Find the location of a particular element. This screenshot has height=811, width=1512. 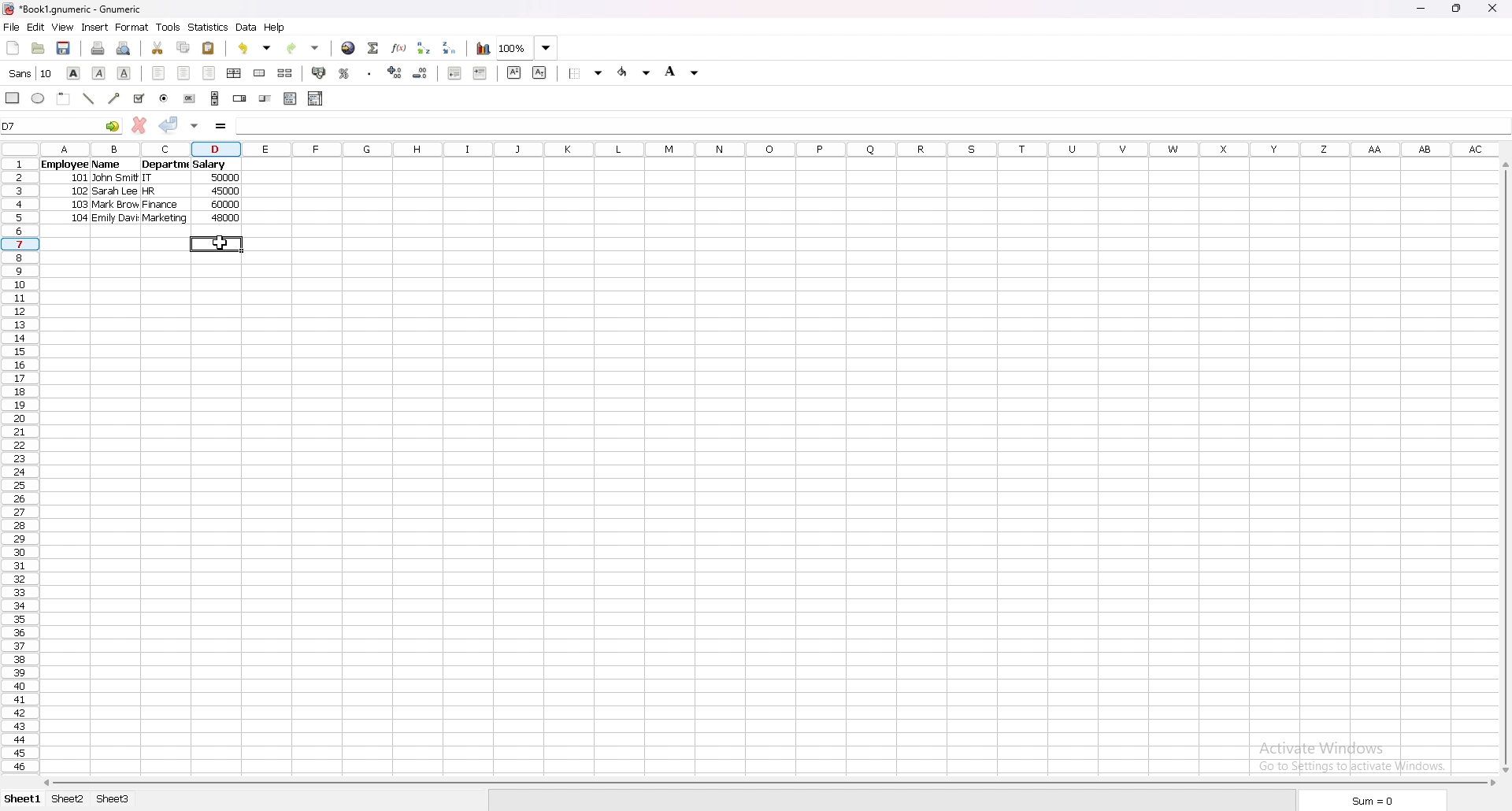

103 is located at coordinates (78, 206).